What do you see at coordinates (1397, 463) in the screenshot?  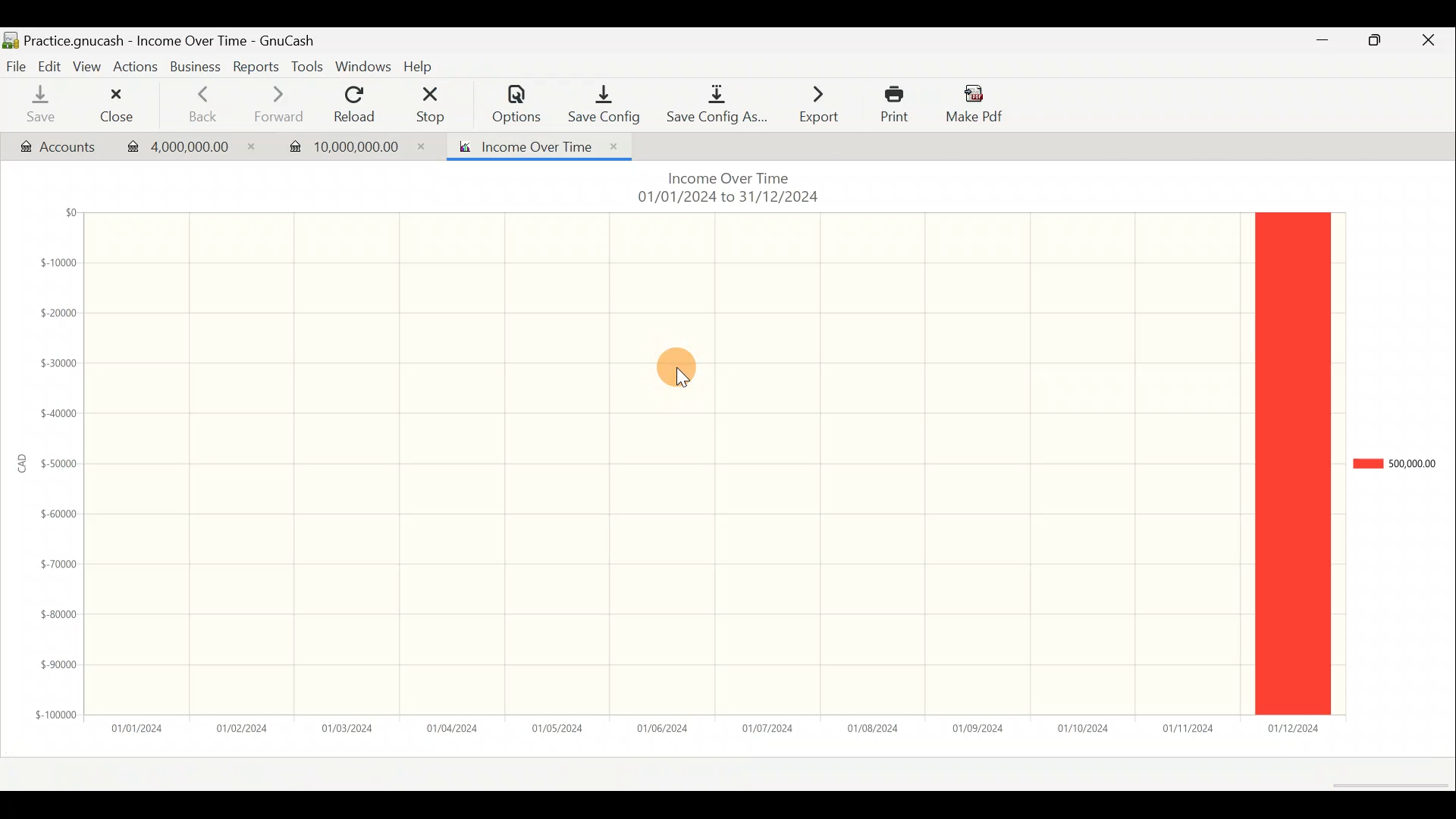 I see `500,000.00` at bounding box center [1397, 463].